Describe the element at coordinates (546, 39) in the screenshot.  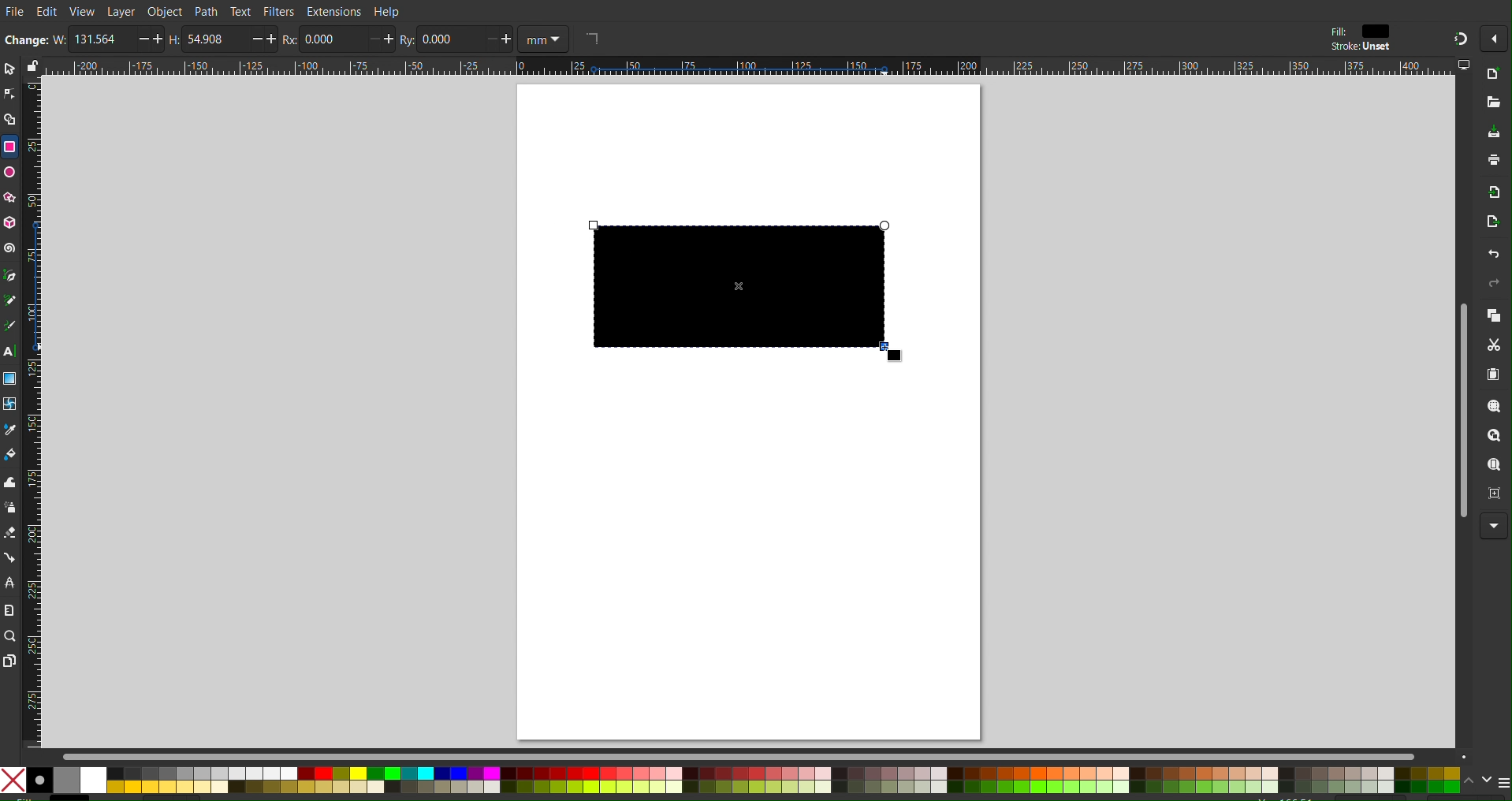
I see `Units` at that location.